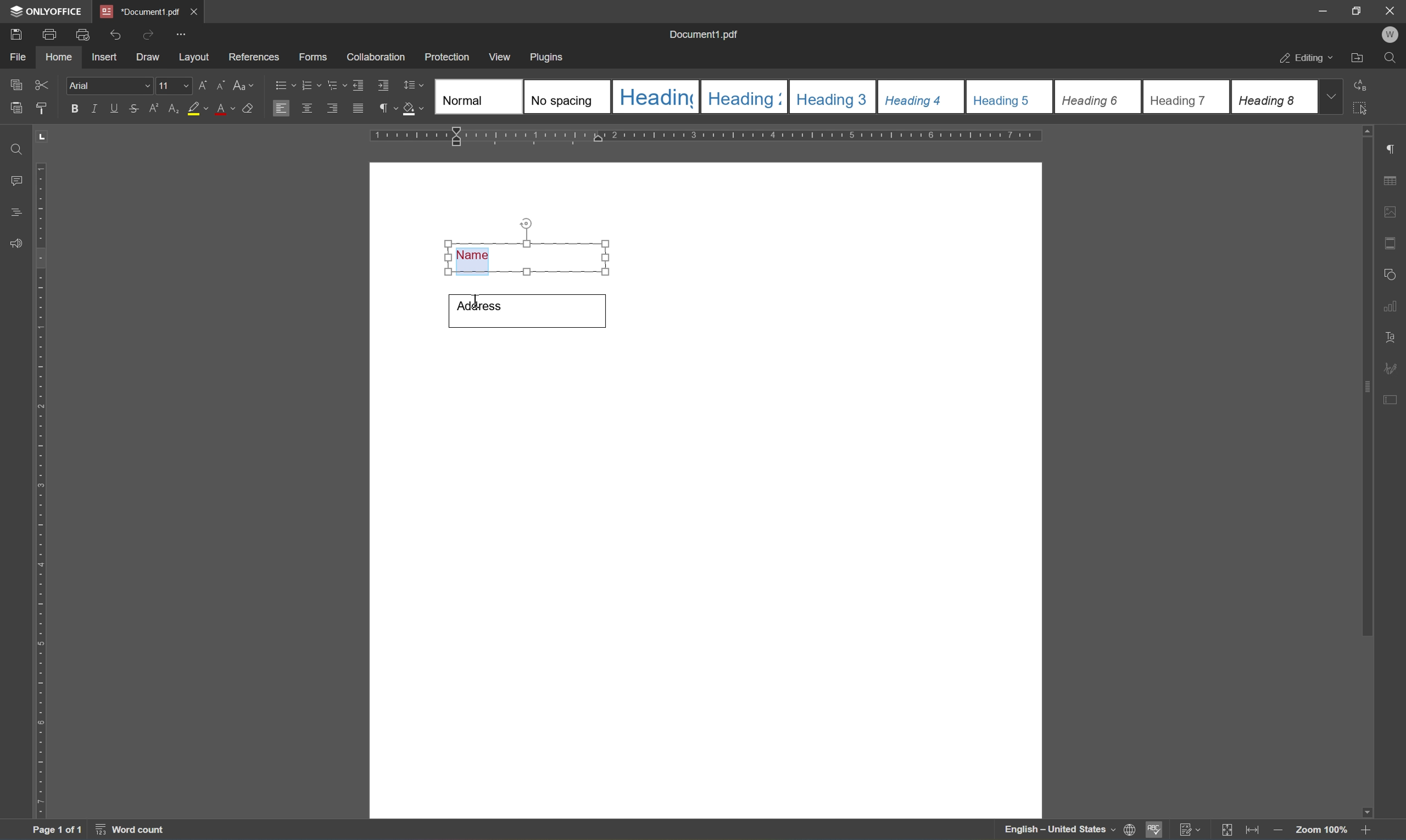 This screenshot has height=840, width=1406. What do you see at coordinates (708, 136) in the screenshot?
I see `ruler` at bounding box center [708, 136].